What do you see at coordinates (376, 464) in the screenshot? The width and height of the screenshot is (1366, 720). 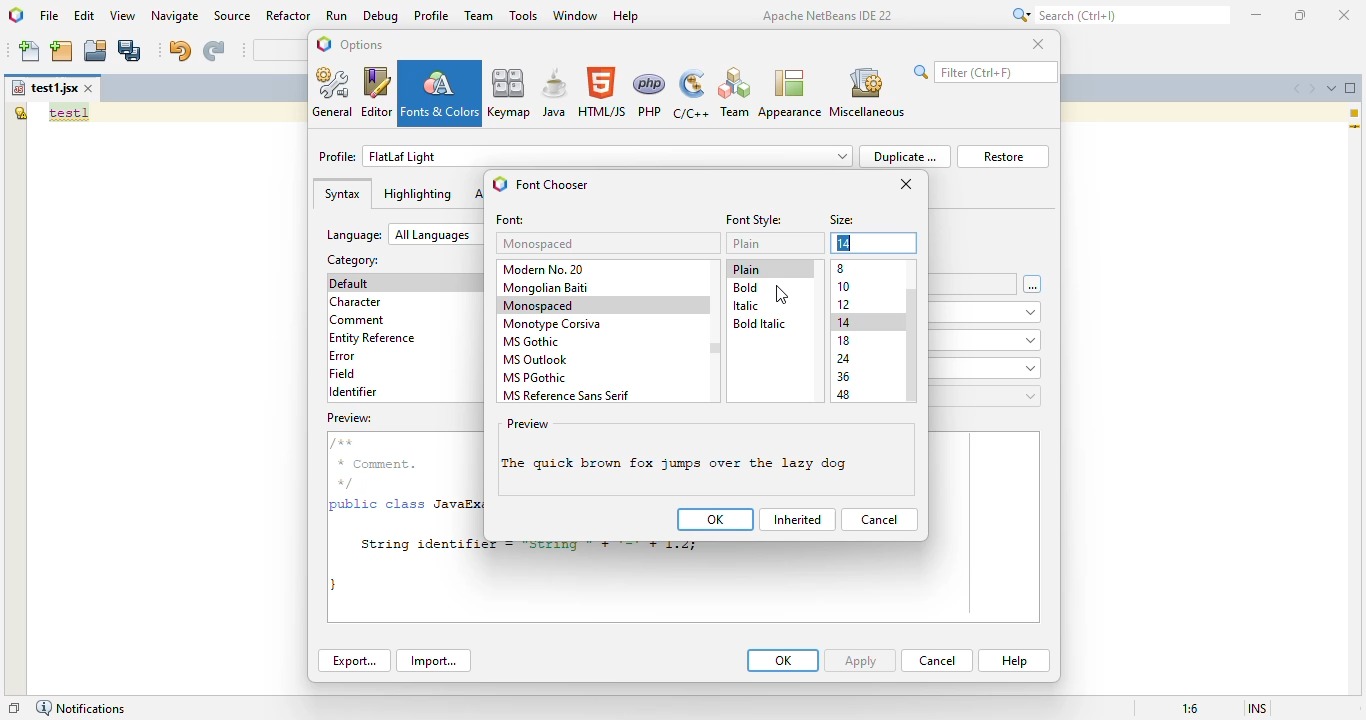 I see `* Comment.` at bounding box center [376, 464].